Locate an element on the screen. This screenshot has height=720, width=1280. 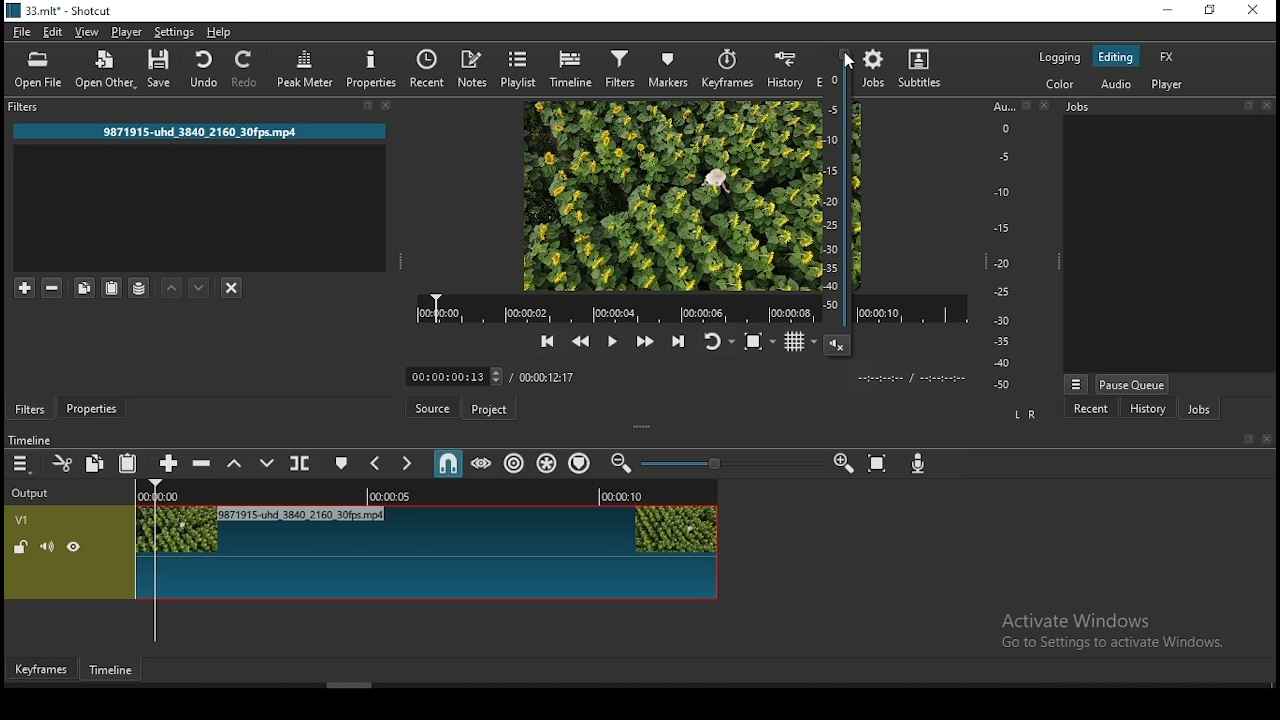
time is located at coordinates (920, 377).